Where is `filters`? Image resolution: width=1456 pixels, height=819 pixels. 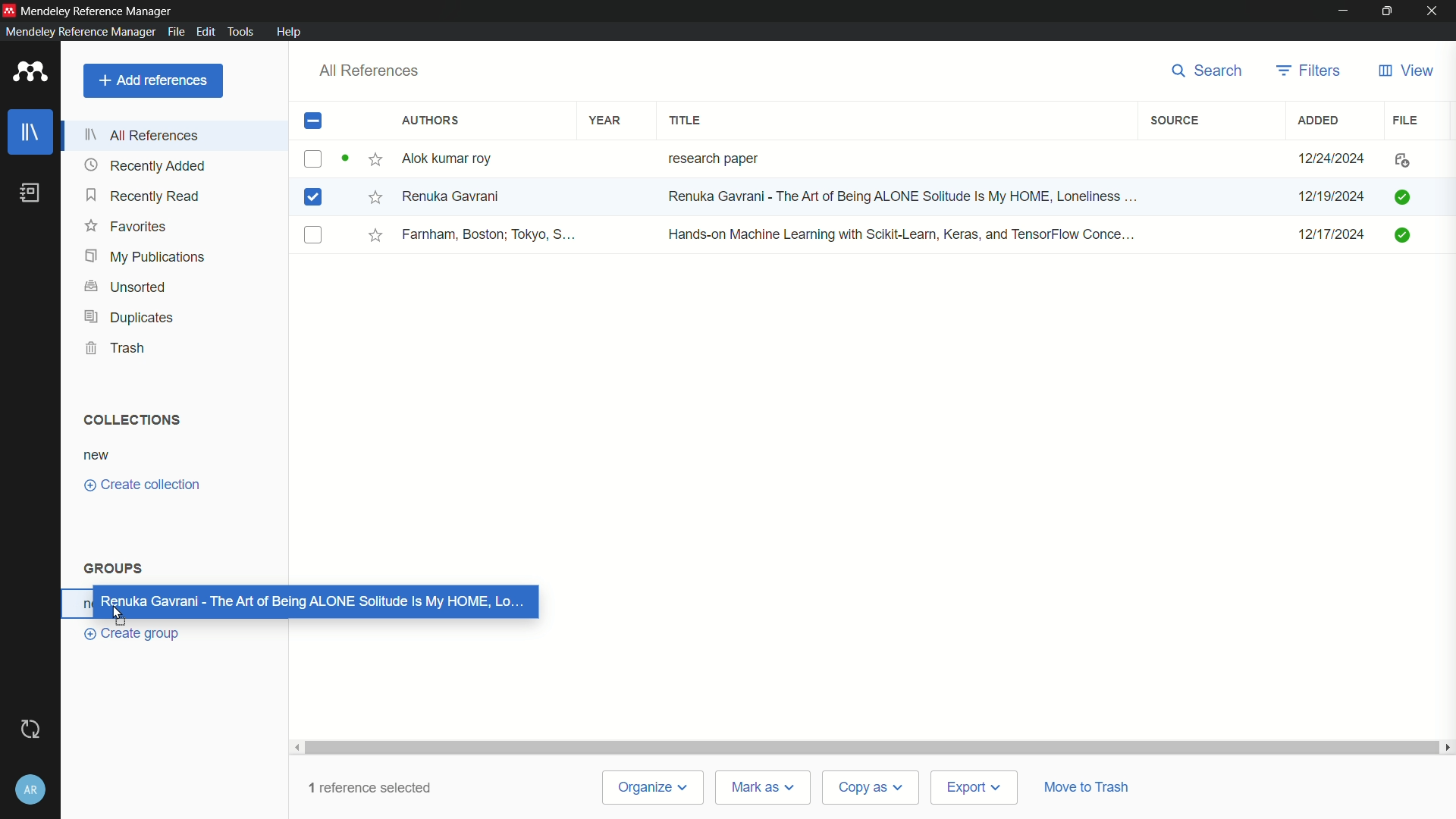
filters is located at coordinates (1309, 70).